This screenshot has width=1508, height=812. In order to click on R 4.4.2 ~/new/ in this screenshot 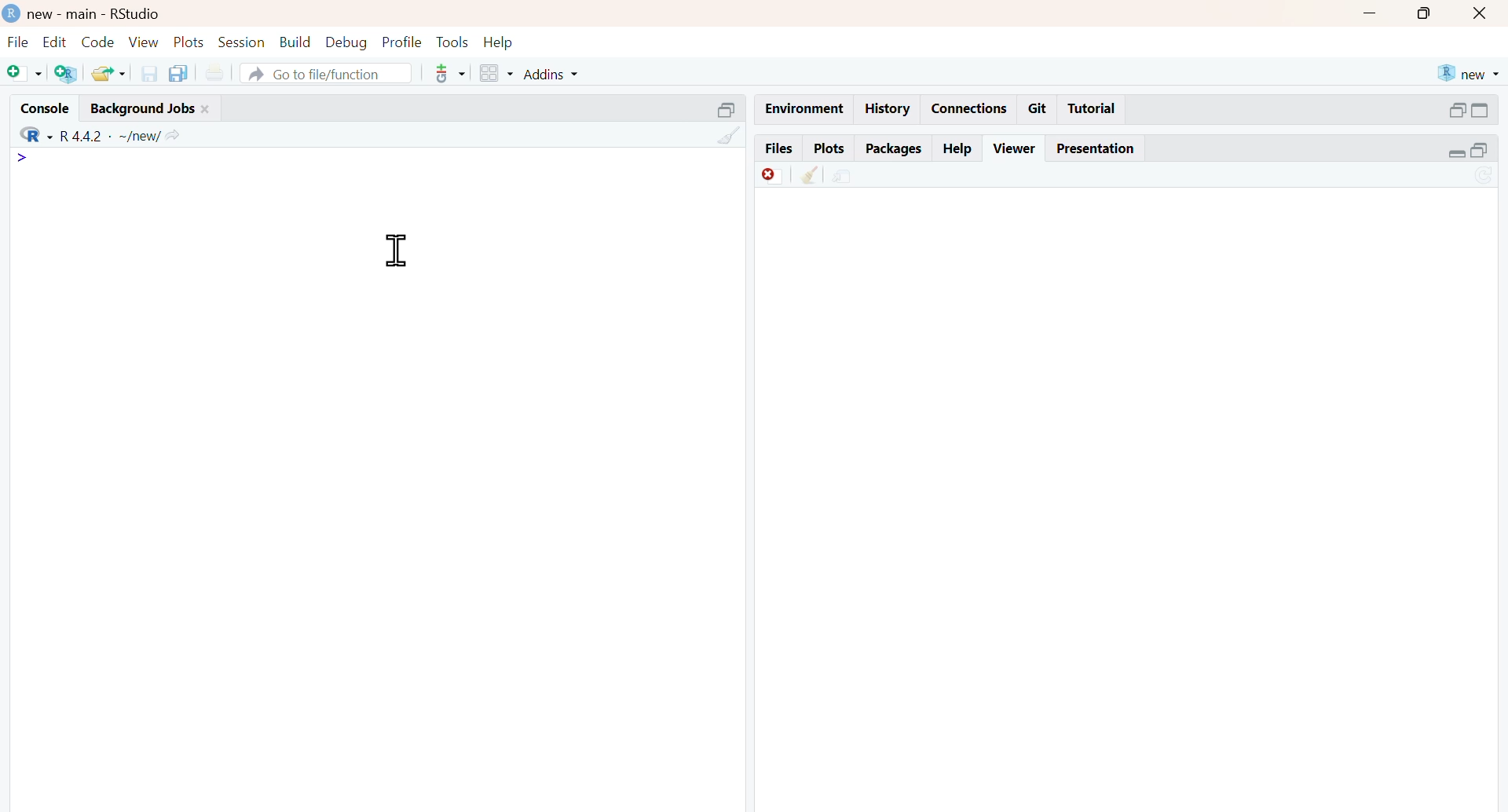, I will do `click(110, 135)`.